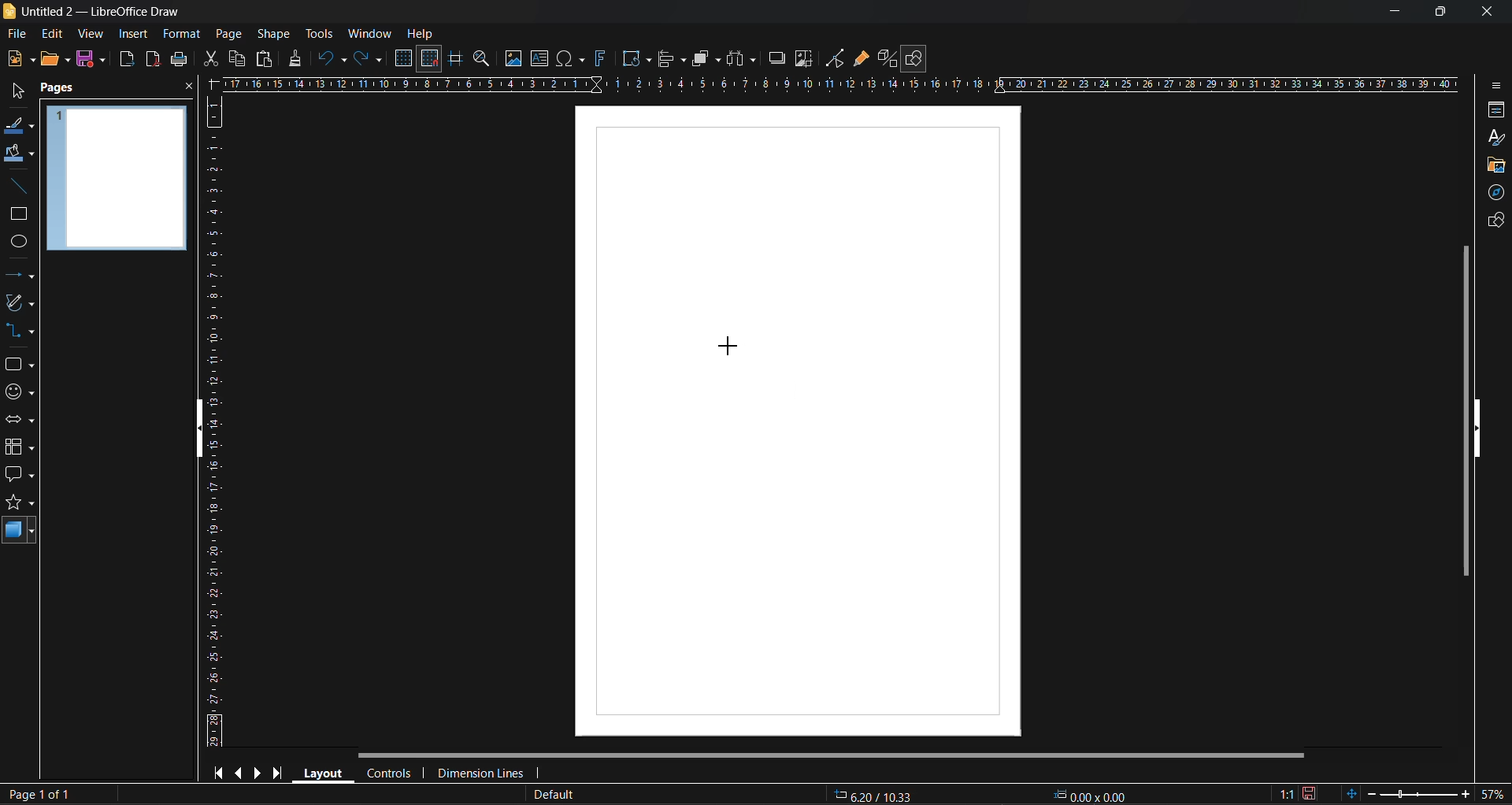 This screenshot has height=805, width=1512. I want to click on crop image, so click(804, 61).